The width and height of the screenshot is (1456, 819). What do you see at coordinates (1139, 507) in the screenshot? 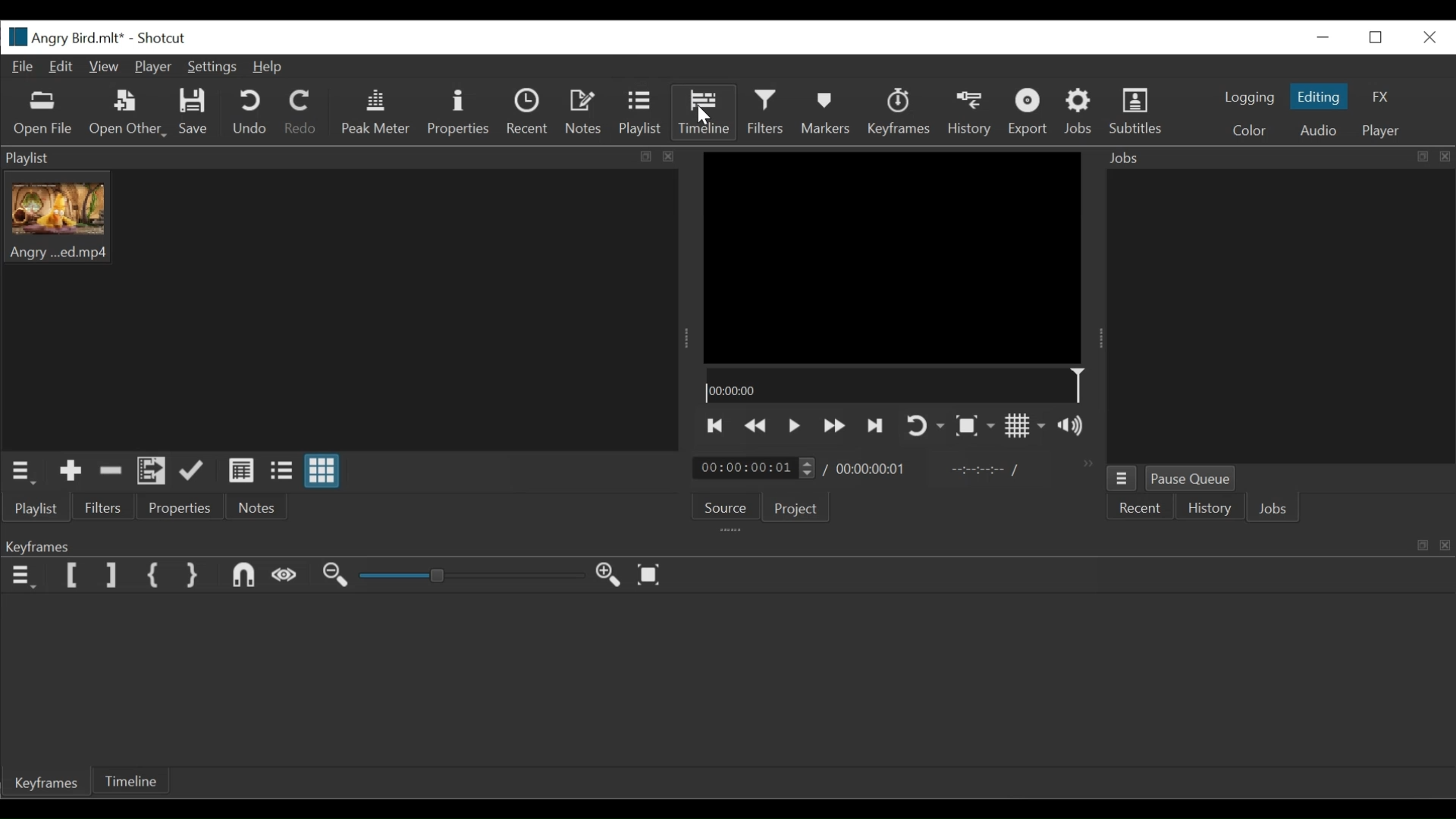
I see `Recent` at bounding box center [1139, 507].